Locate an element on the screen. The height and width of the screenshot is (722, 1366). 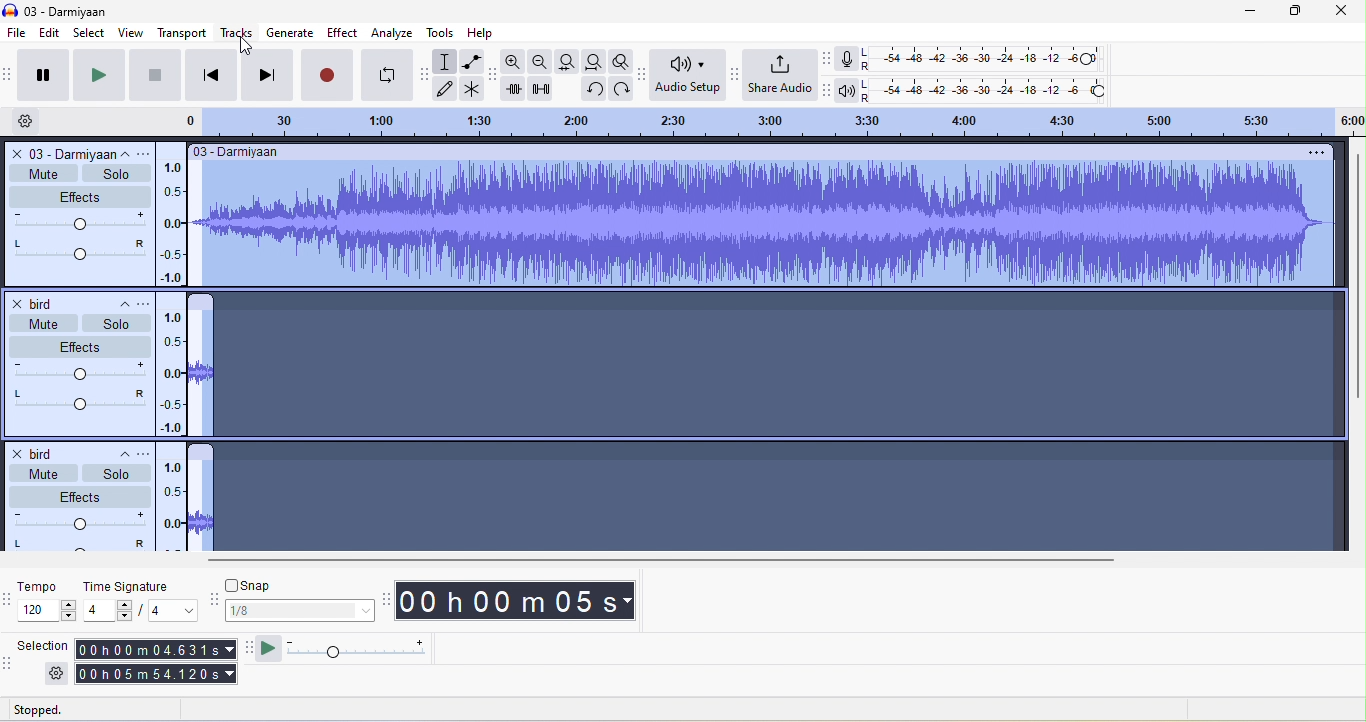
volume is located at coordinates (82, 372).